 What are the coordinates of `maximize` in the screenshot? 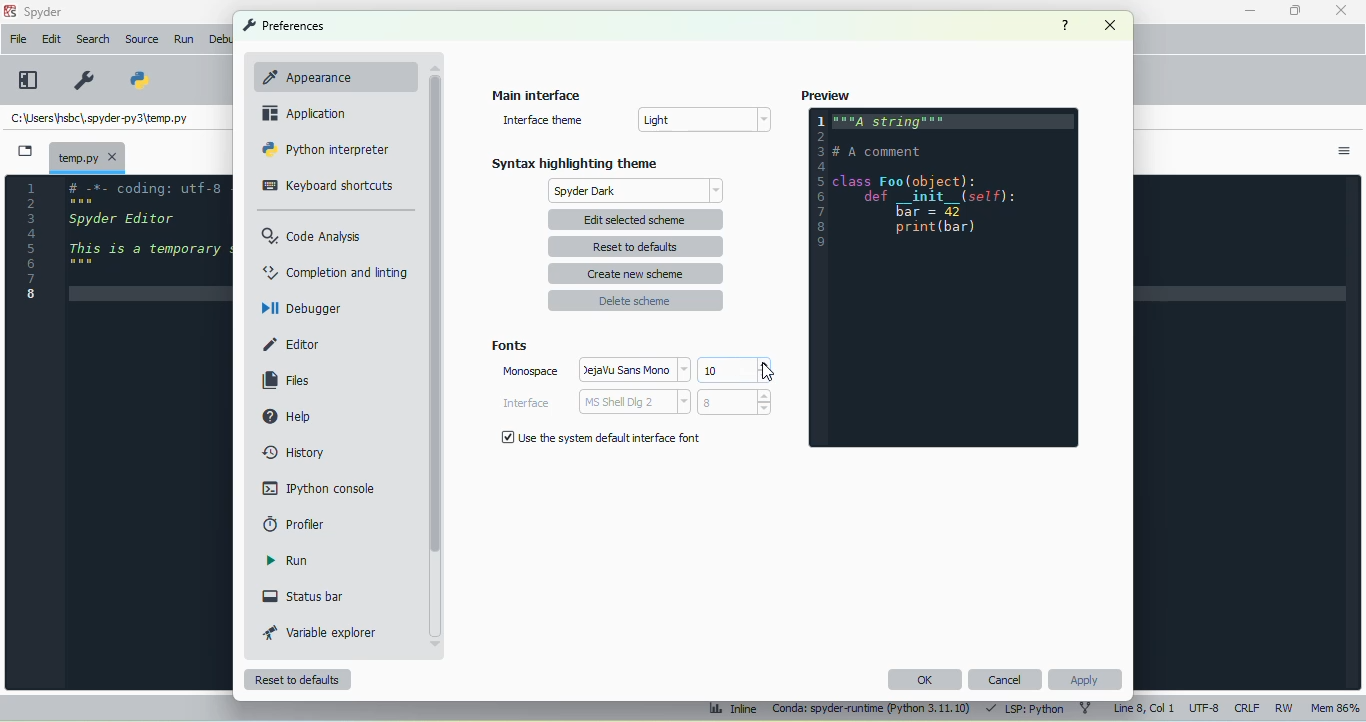 It's located at (1295, 10).